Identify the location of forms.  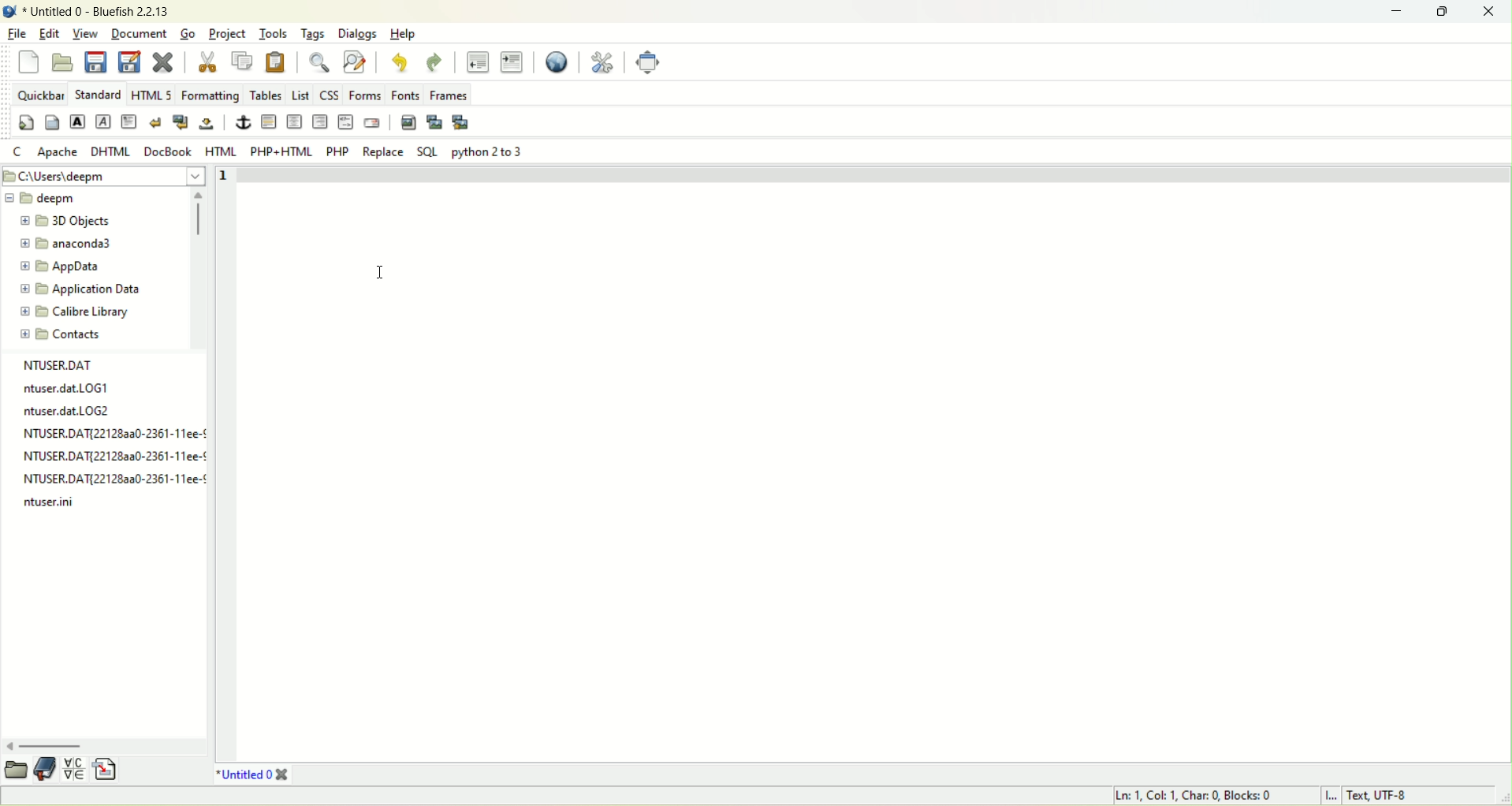
(364, 95).